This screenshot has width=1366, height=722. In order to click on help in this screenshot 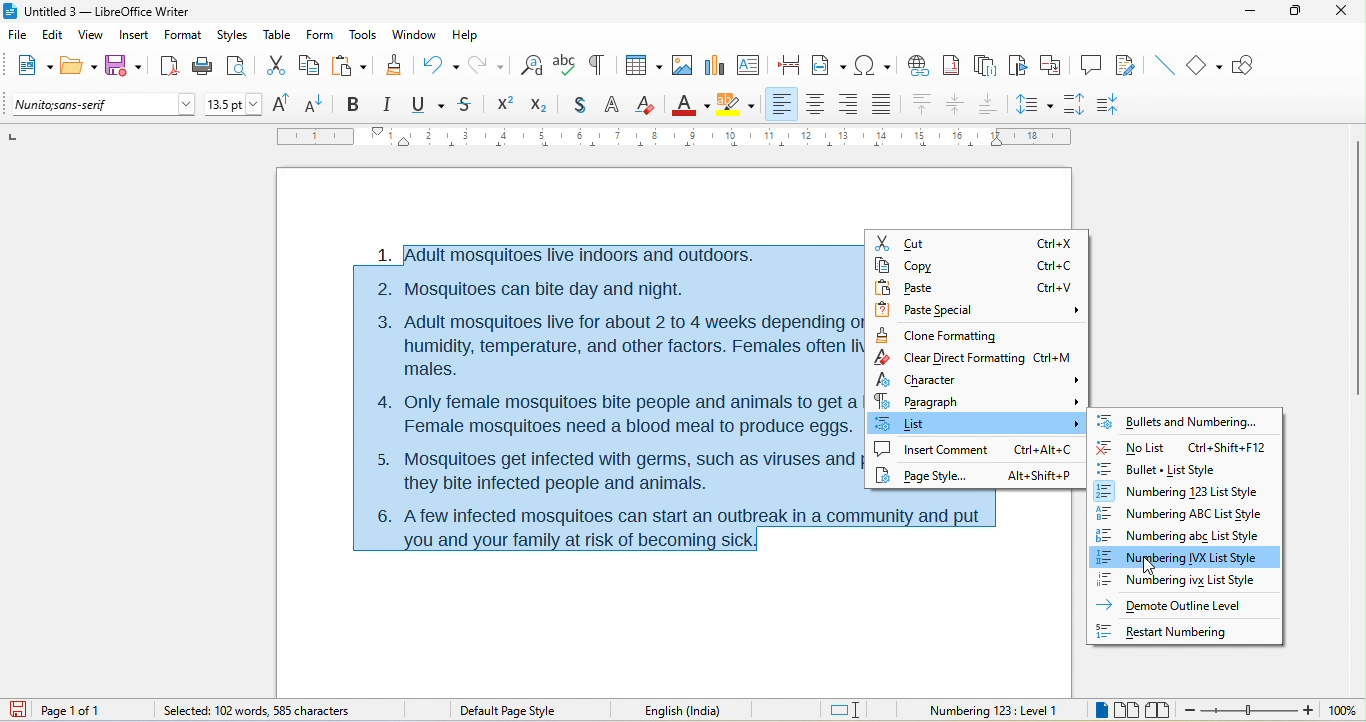, I will do `click(468, 33)`.